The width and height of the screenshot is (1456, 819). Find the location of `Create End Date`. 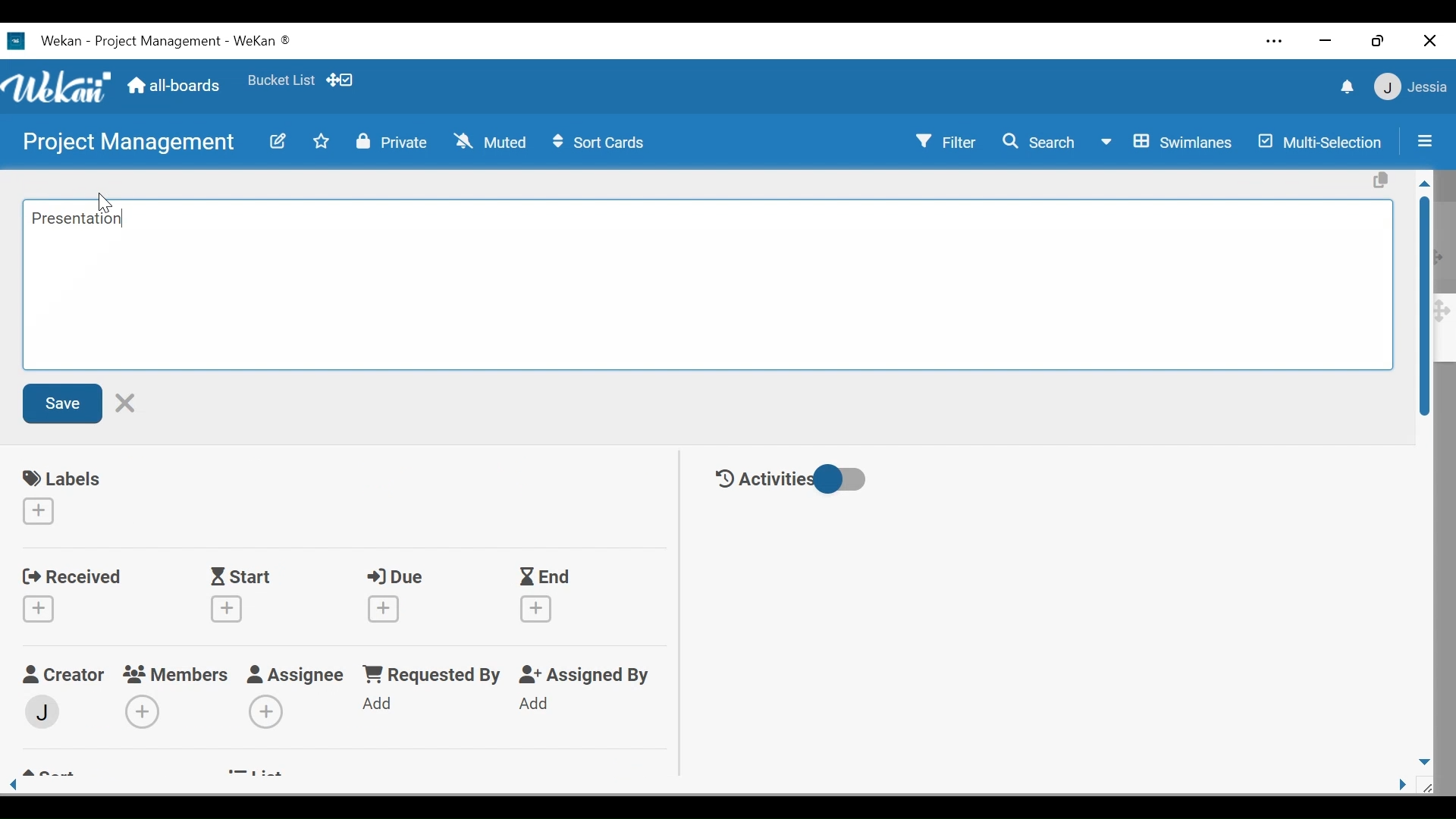

Create End Date is located at coordinates (536, 609).